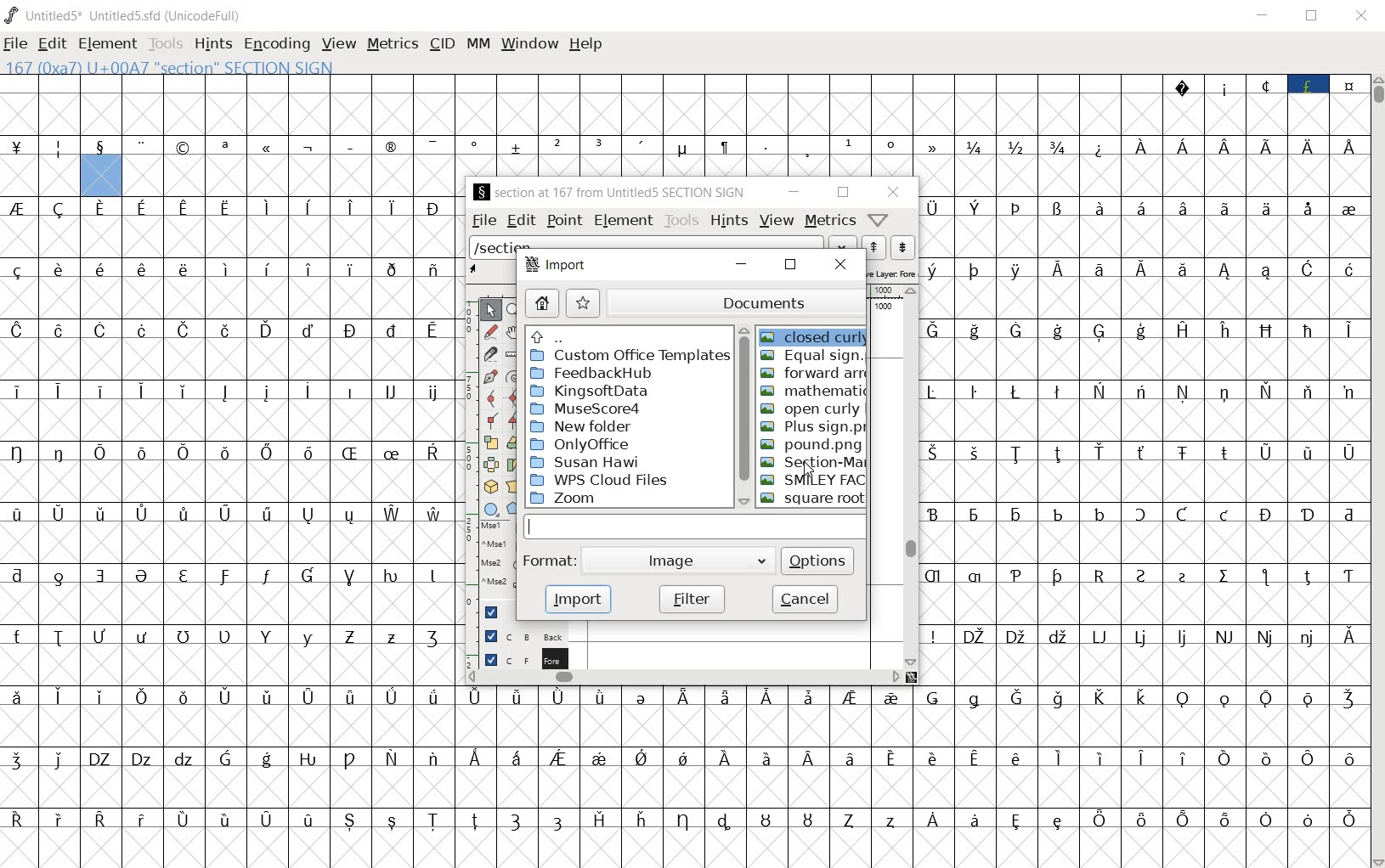 The image size is (1385, 868). I want to click on filter, so click(692, 598).